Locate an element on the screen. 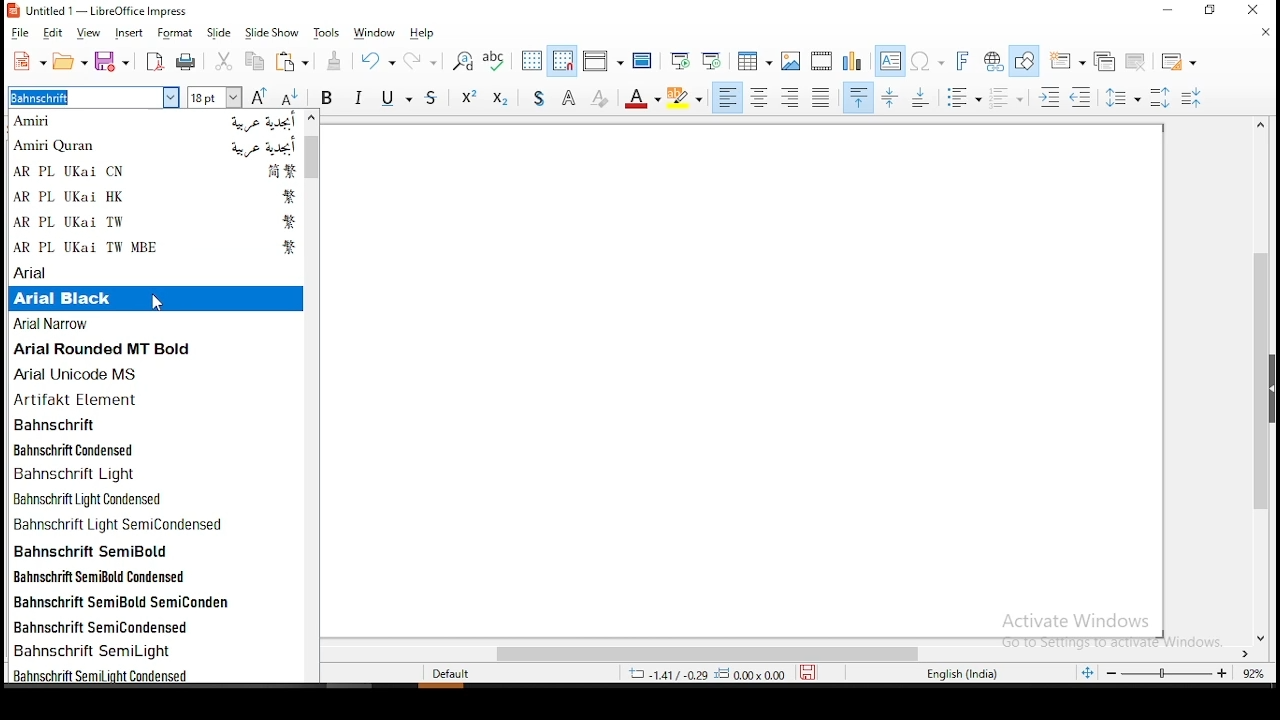 This screenshot has width=1280, height=720. snap to grid is located at coordinates (563, 60).